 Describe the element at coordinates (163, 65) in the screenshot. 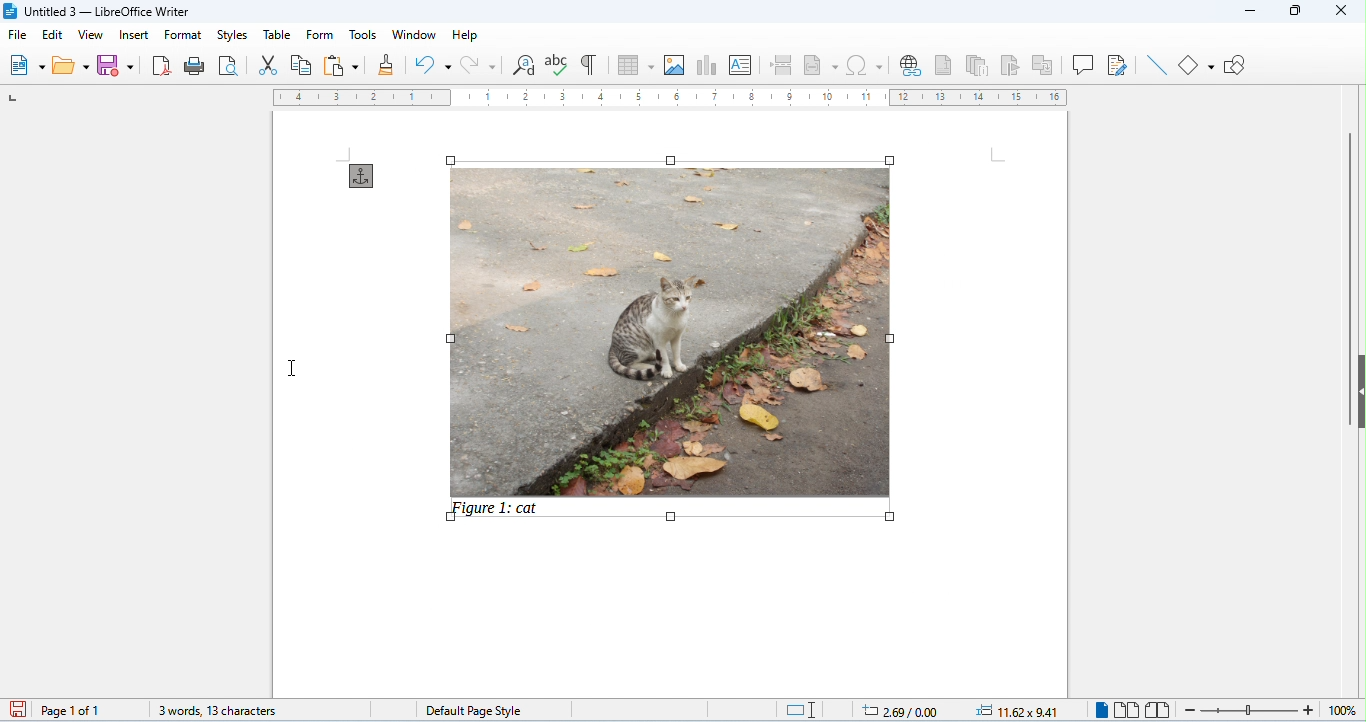

I see `export pdf` at that location.